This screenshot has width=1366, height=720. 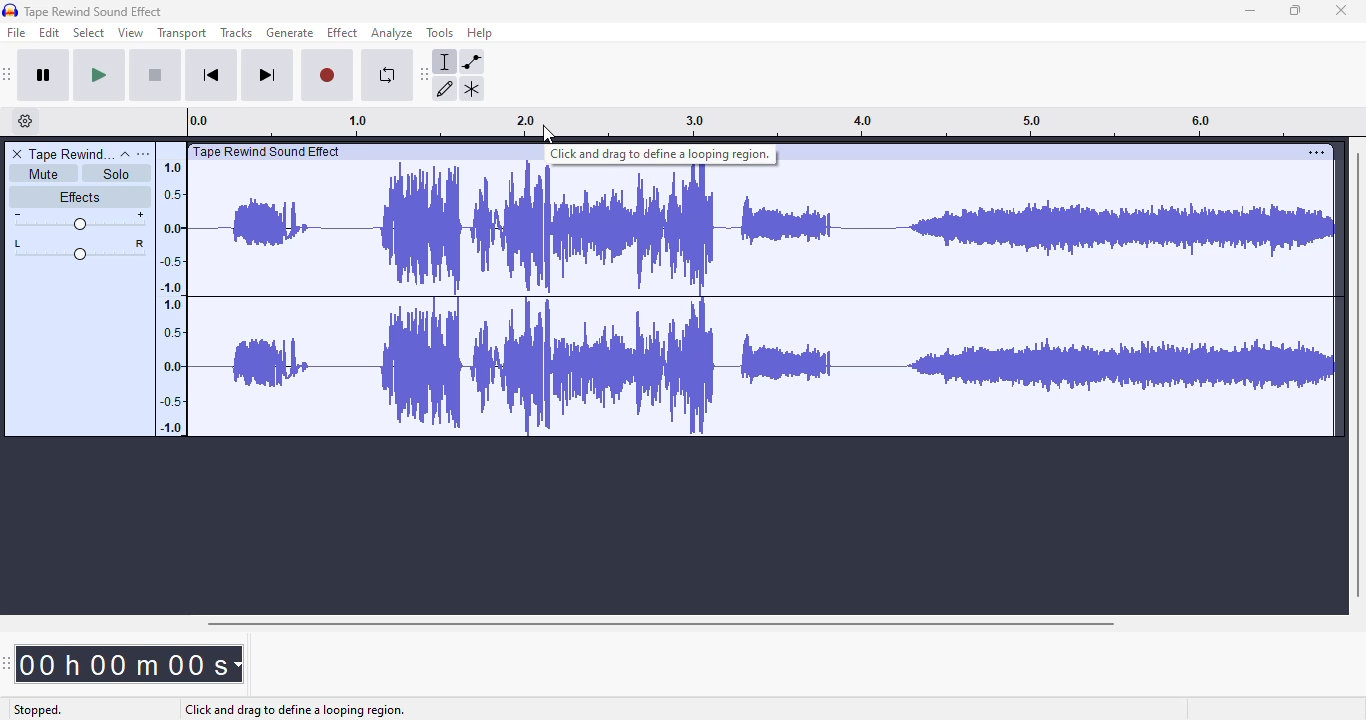 What do you see at coordinates (16, 32) in the screenshot?
I see `file` at bounding box center [16, 32].